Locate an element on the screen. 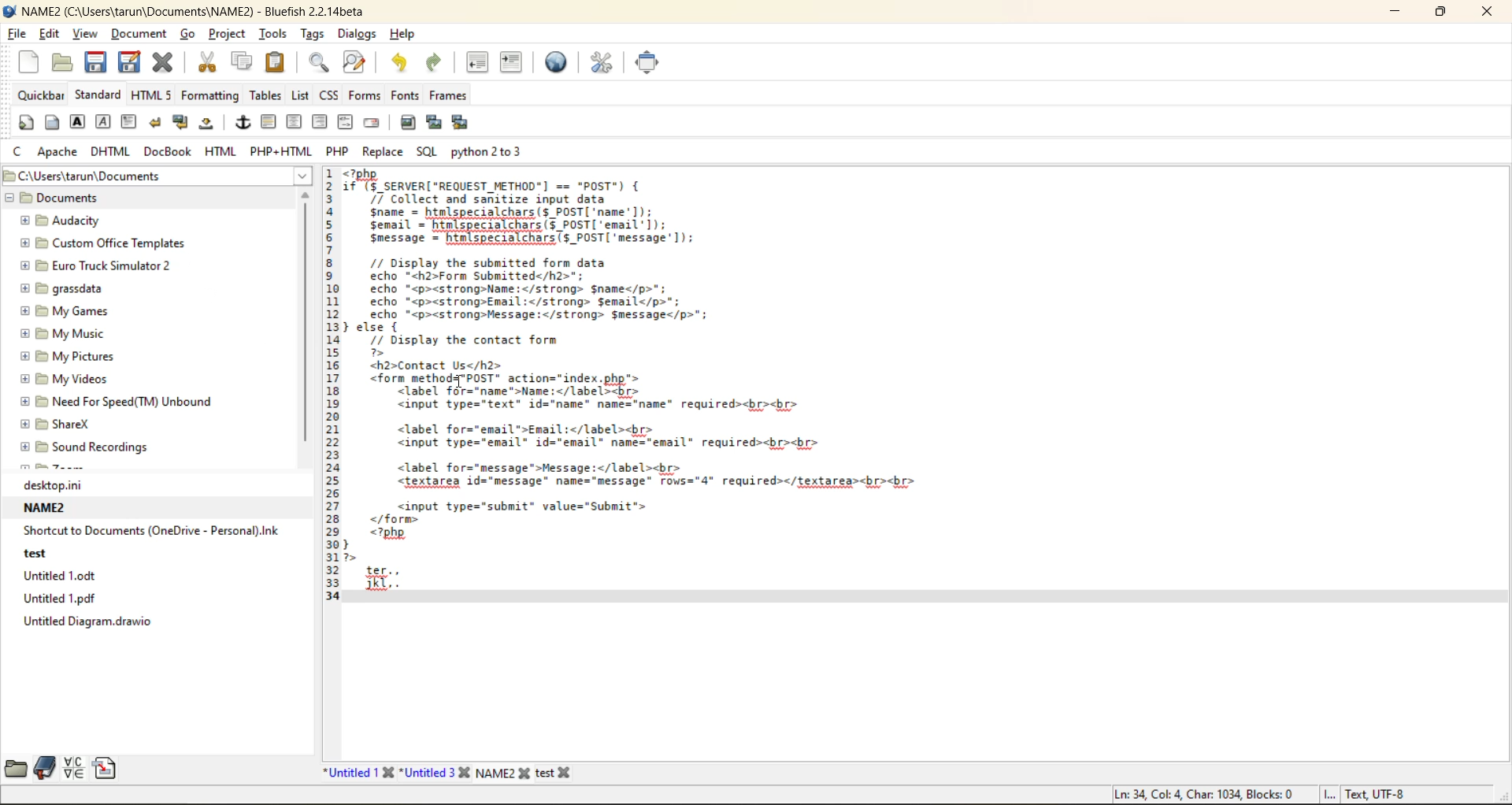 This screenshot has height=805, width=1512. help is located at coordinates (406, 35).